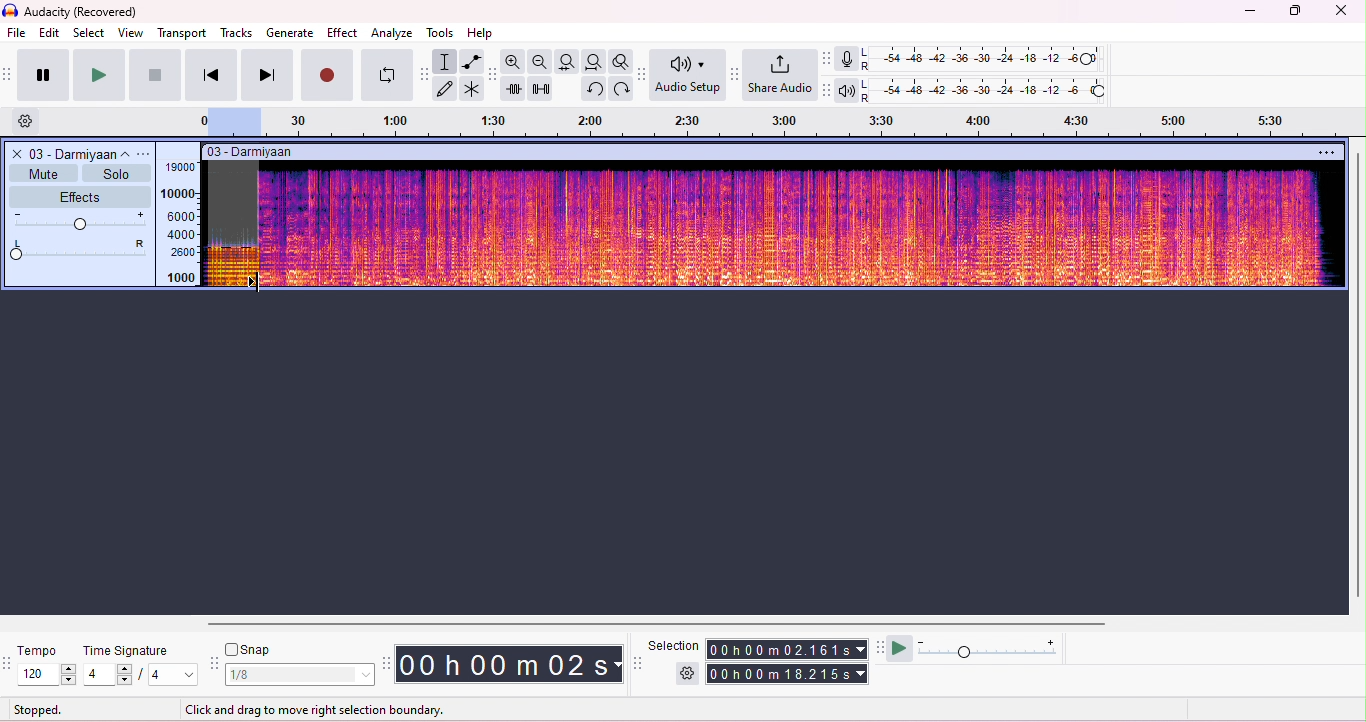  Describe the element at coordinates (439, 32) in the screenshot. I see `tools` at that location.